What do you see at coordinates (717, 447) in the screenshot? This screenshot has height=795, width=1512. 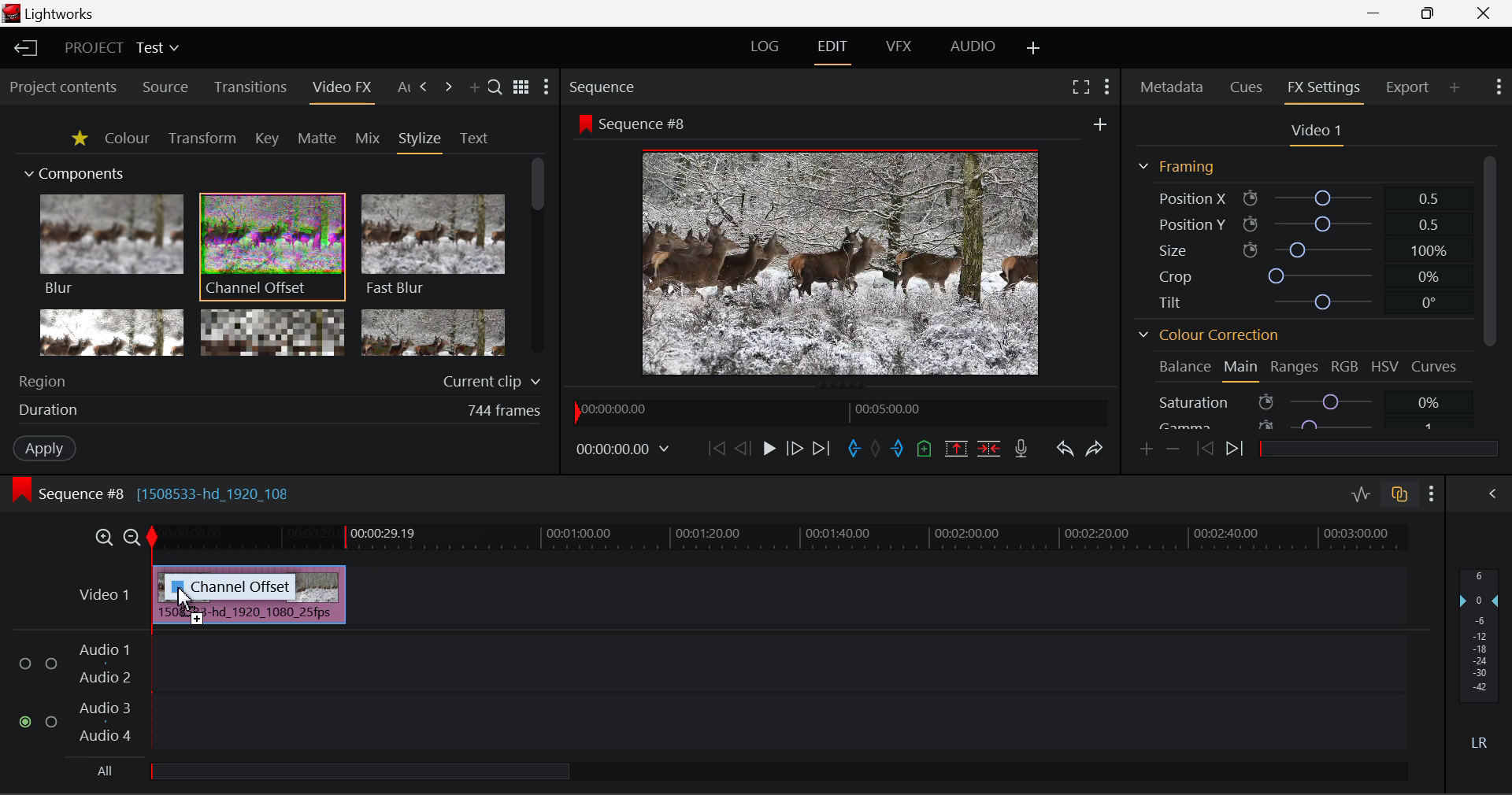 I see `To Start` at bounding box center [717, 447].